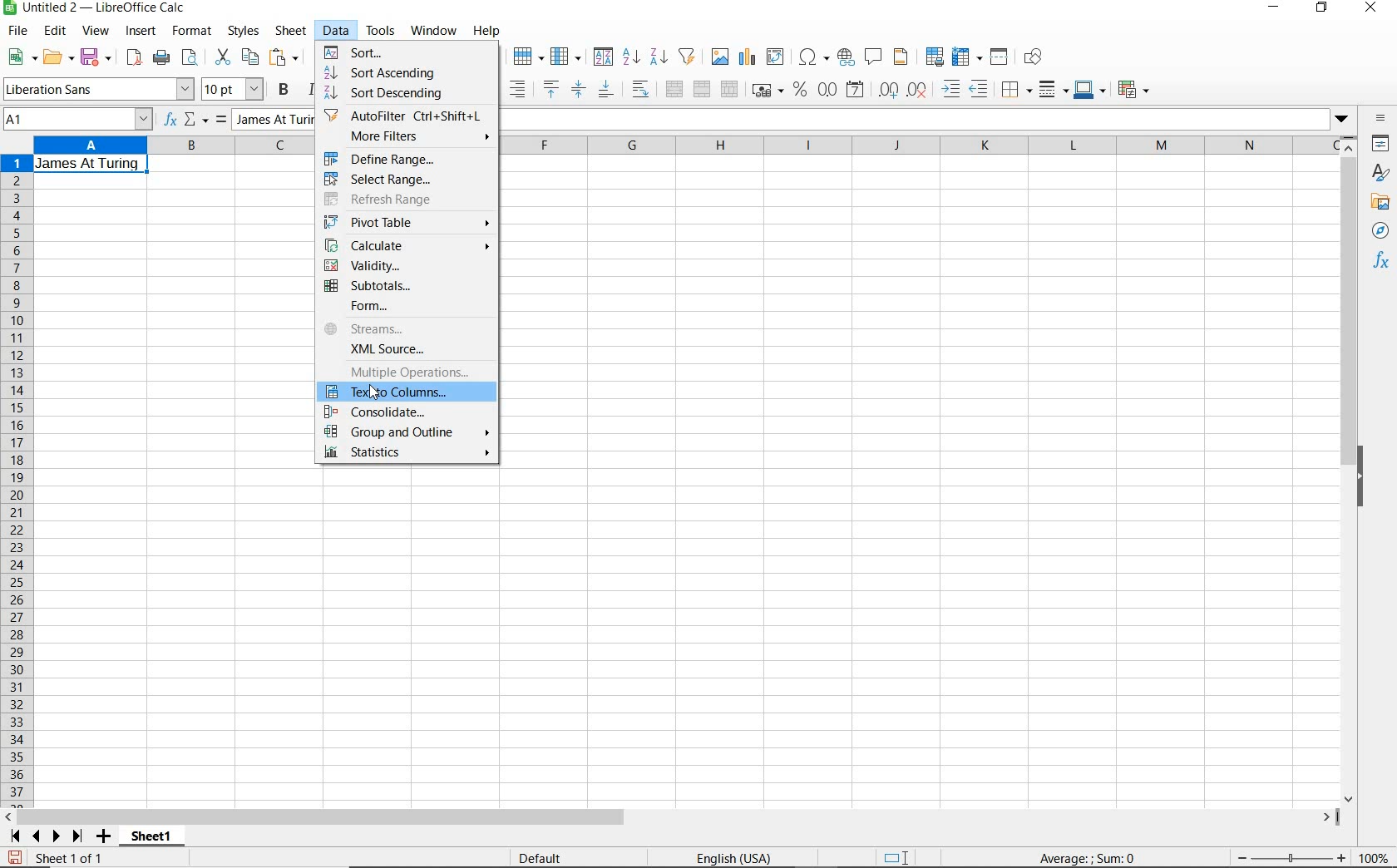 This screenshot has height=868, width=1397. What do you see at coordinates (540, 857) in the screenshot?
I see `default` at bounding box center [540, 857].